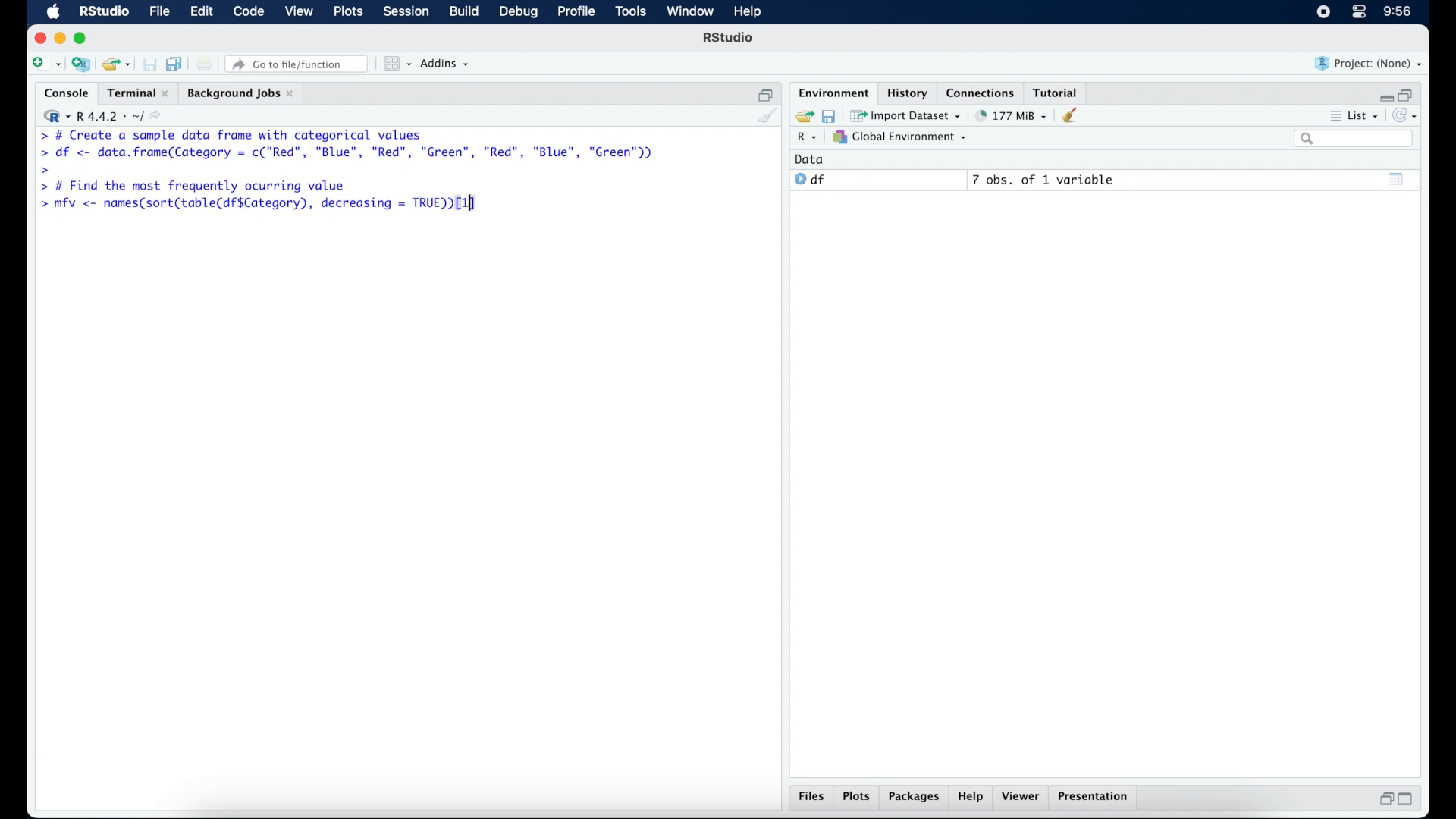  What do you see at coordinates (406, 12) in the screenshot?
I see `session` at bounding box center [406, 12].